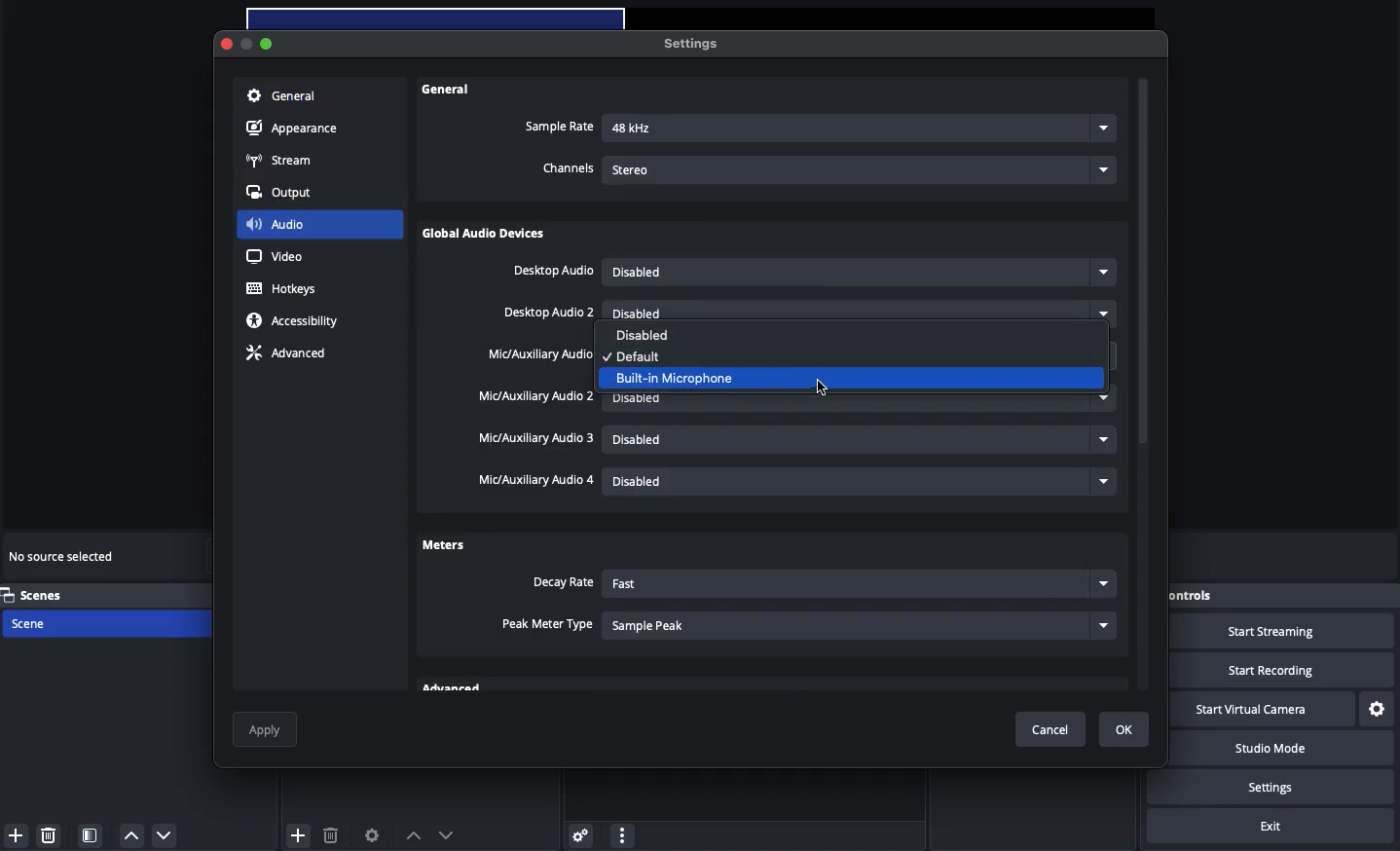 Image resolution: width=1400 pixels, height=851 pixels. I want to click on Button, so click(248, 46).